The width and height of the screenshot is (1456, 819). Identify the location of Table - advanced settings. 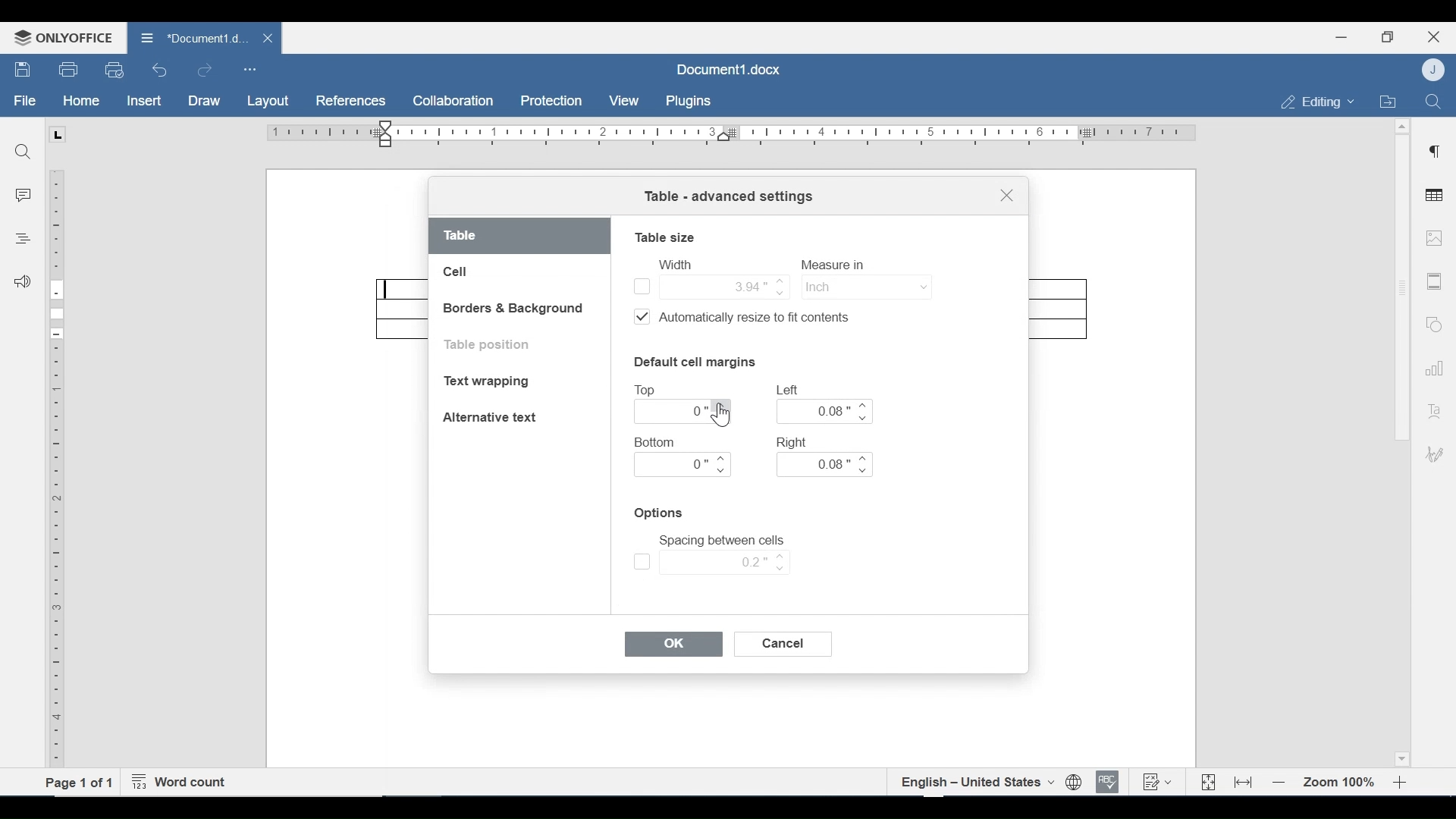
(728, 198).